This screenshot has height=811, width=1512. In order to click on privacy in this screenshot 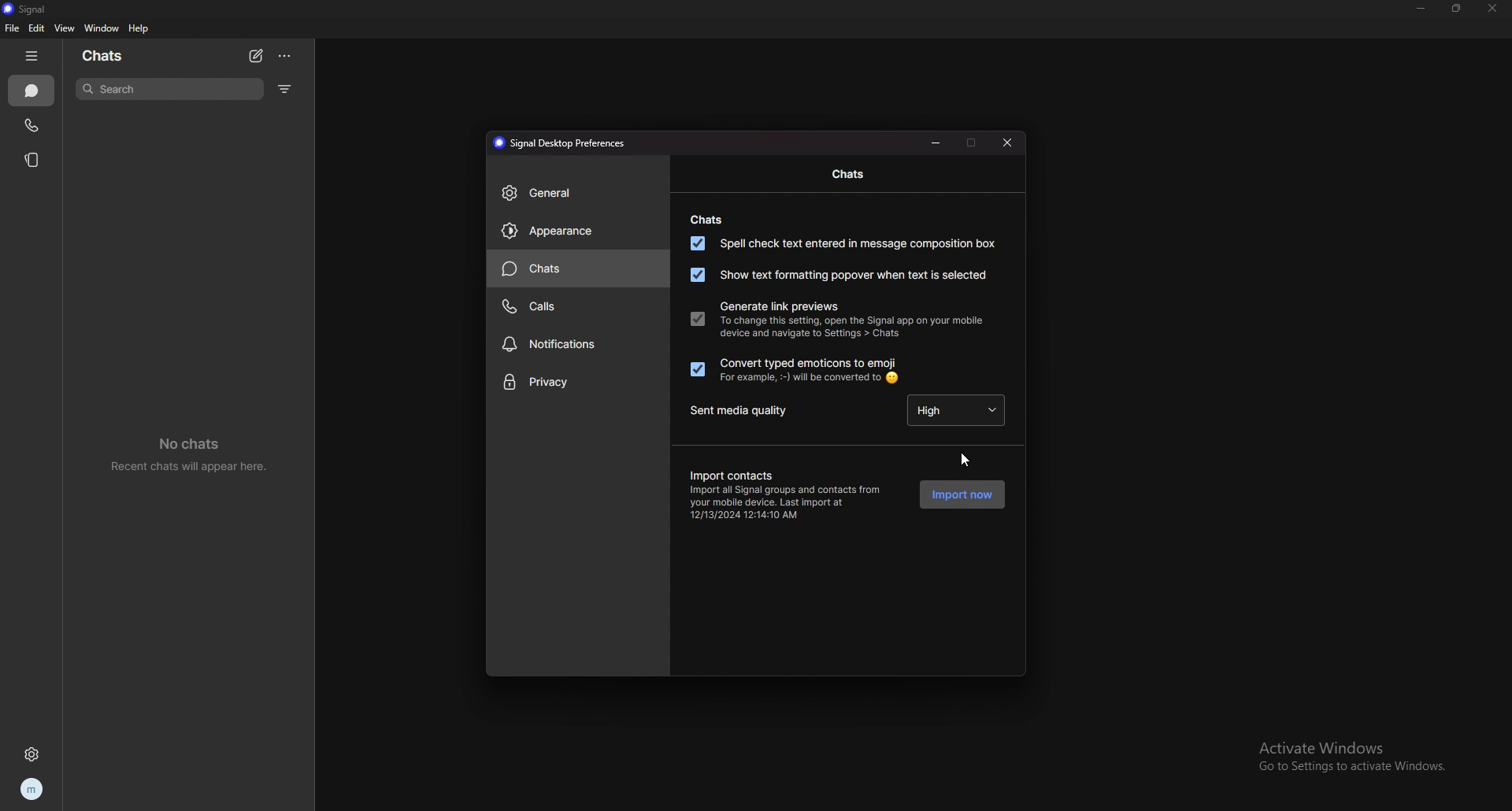, I will do `click(577, 383)`.